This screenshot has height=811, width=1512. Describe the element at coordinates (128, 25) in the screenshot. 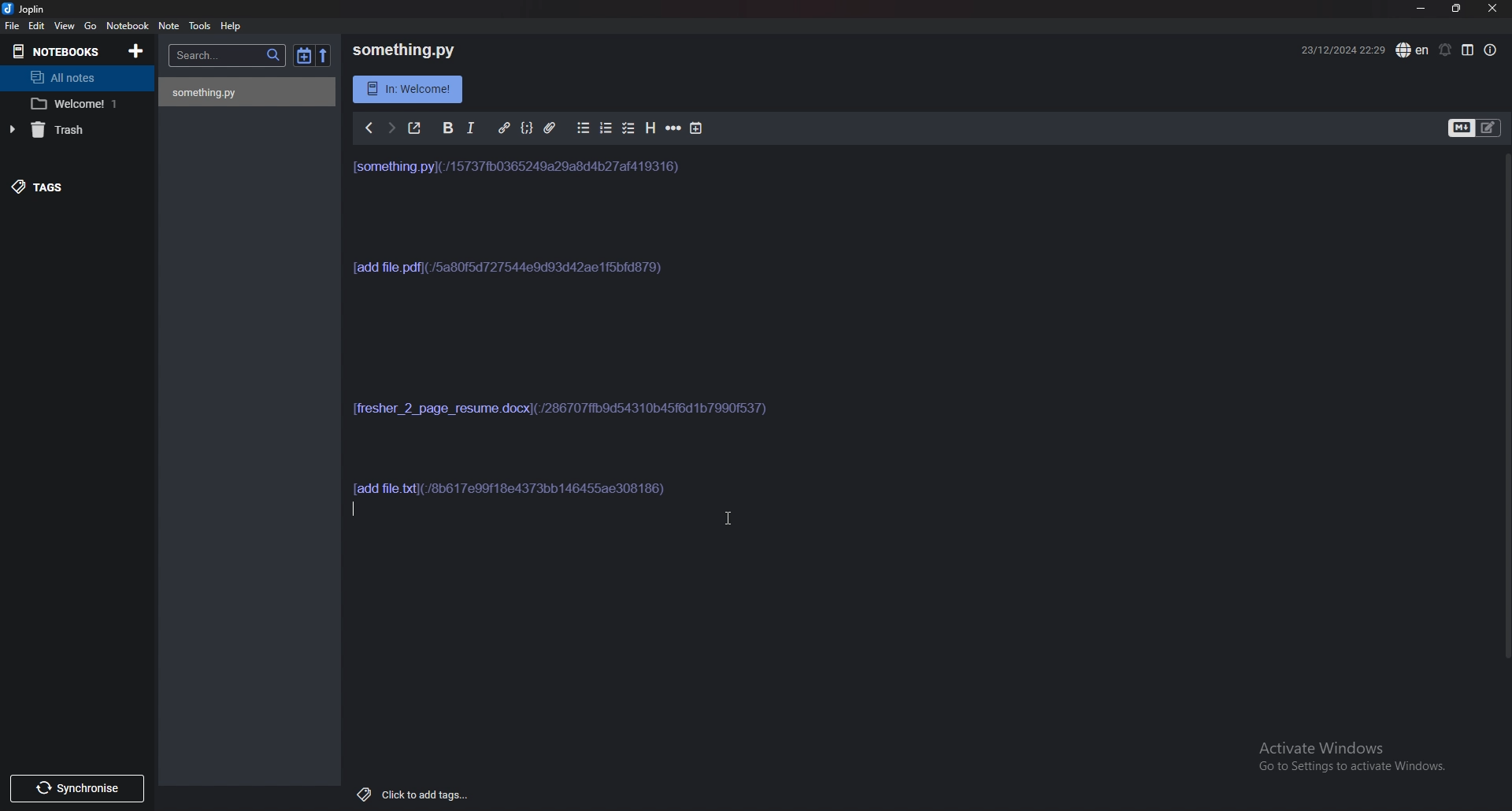

I see `Notebook` at that location.